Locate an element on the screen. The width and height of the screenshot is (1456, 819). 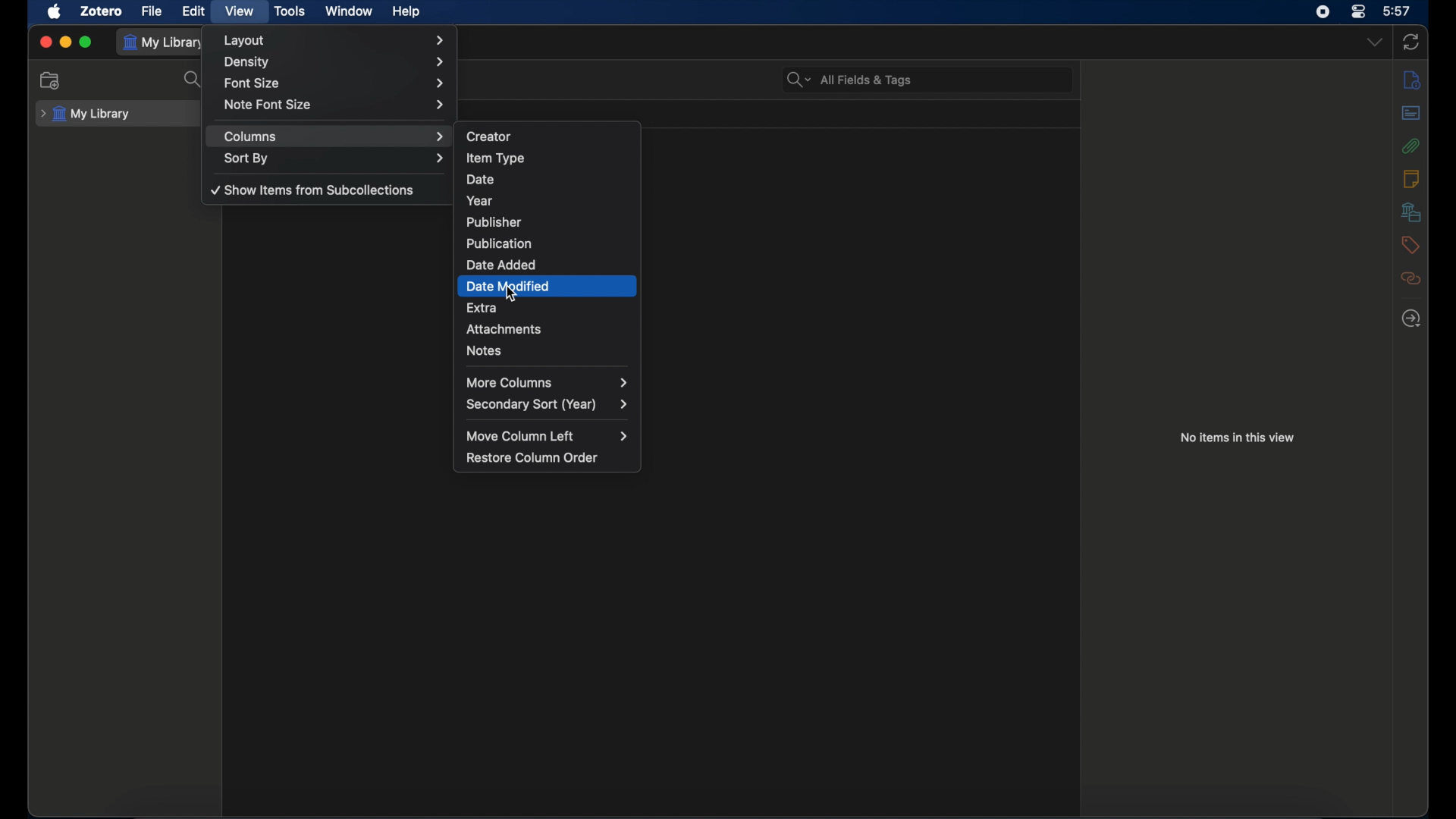
zotero is located at coordinates (100, 11).